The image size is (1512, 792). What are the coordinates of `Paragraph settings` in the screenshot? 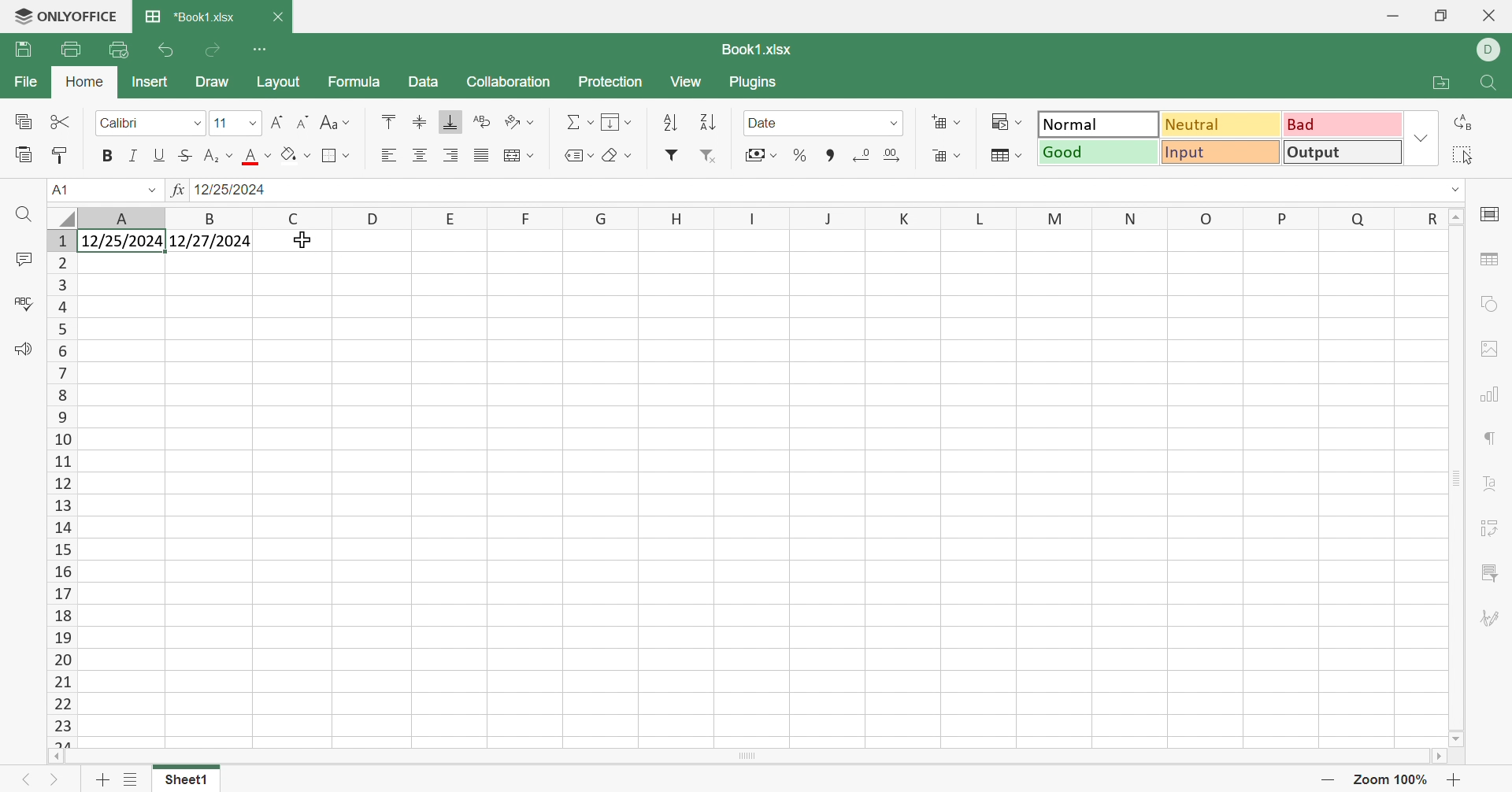 It's located at (1489, 442).